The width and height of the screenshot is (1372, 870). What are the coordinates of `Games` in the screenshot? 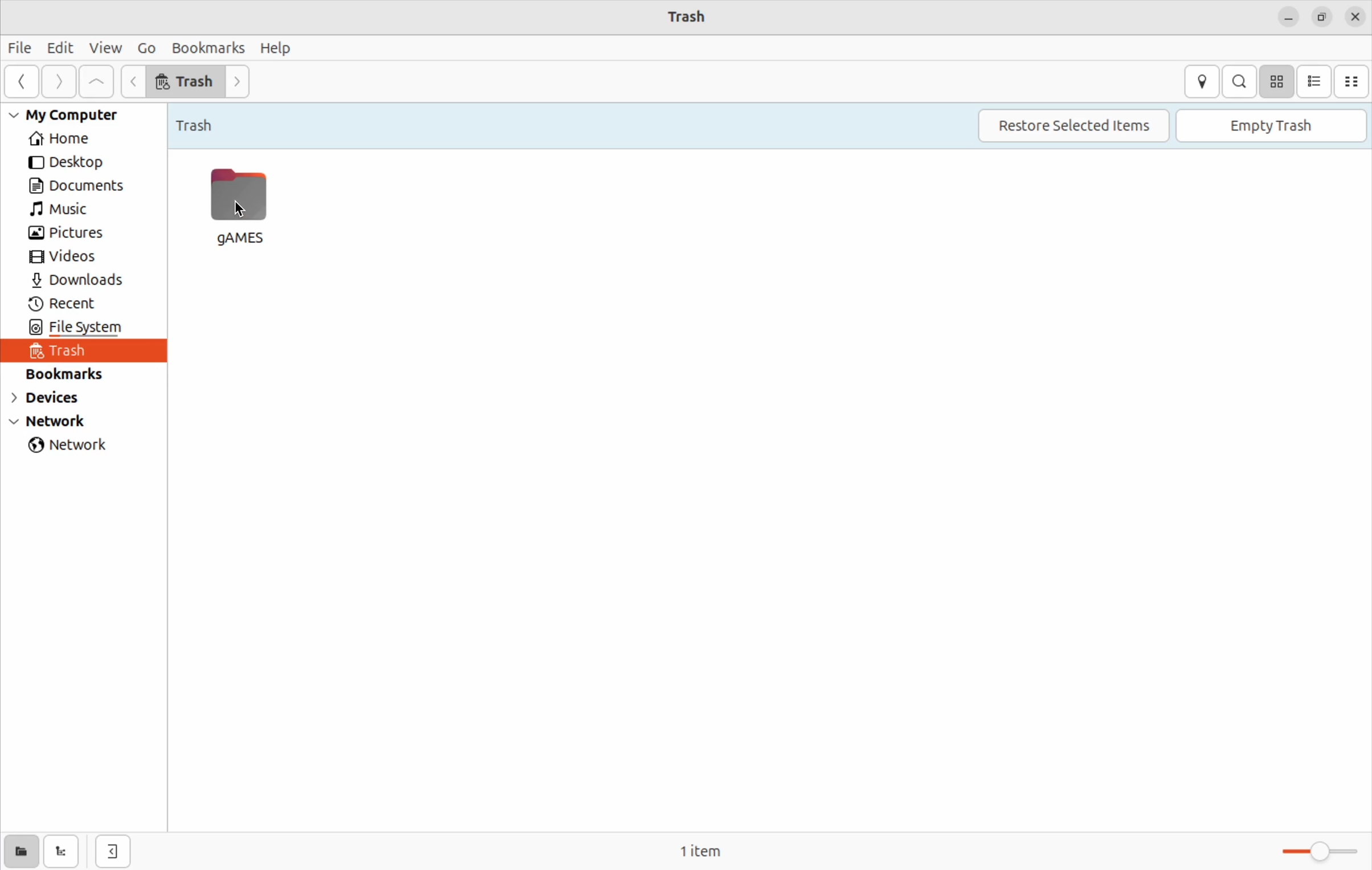 It's located at (240, 204).